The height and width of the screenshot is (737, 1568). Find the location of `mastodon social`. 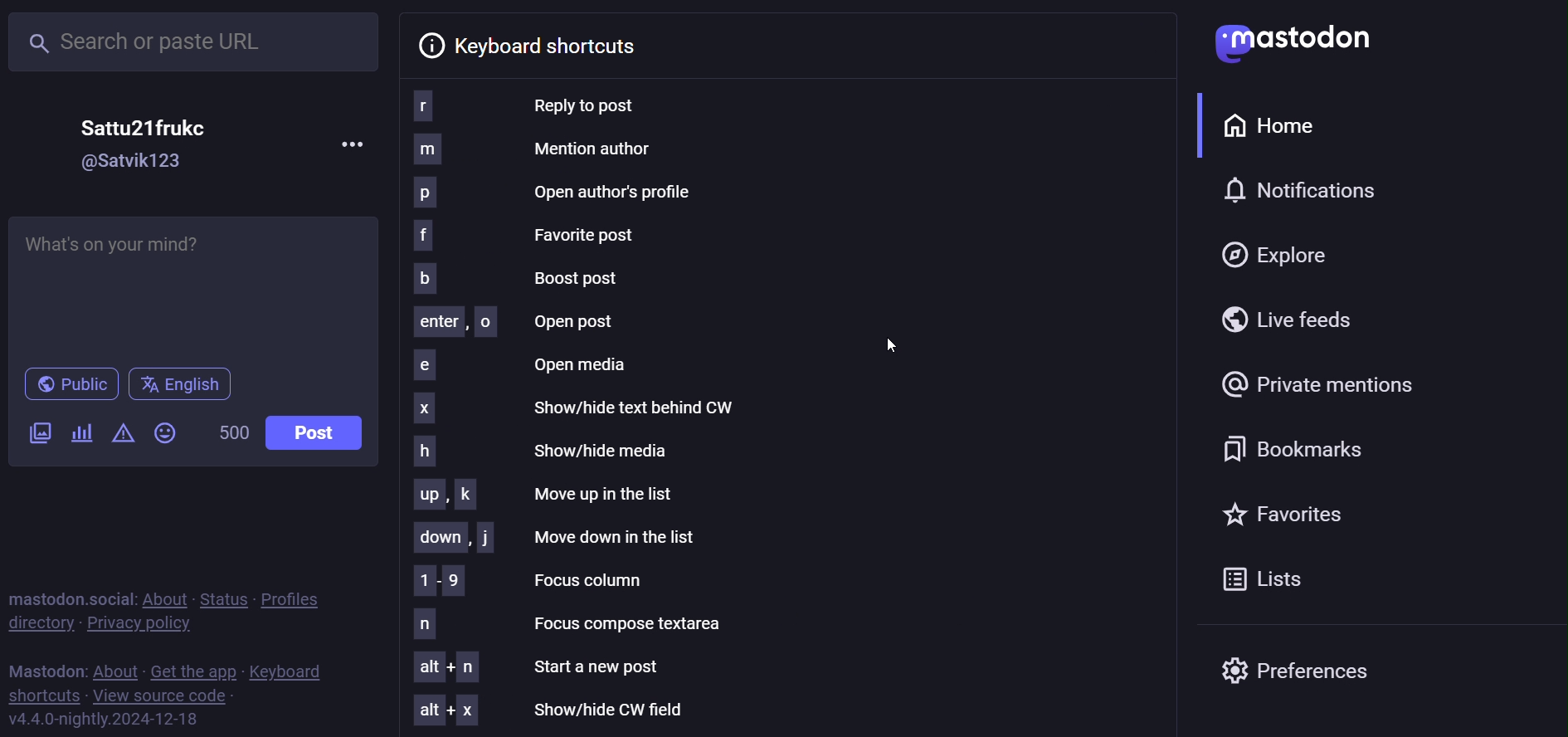

mastodon social is located at coordinates (71, 595).